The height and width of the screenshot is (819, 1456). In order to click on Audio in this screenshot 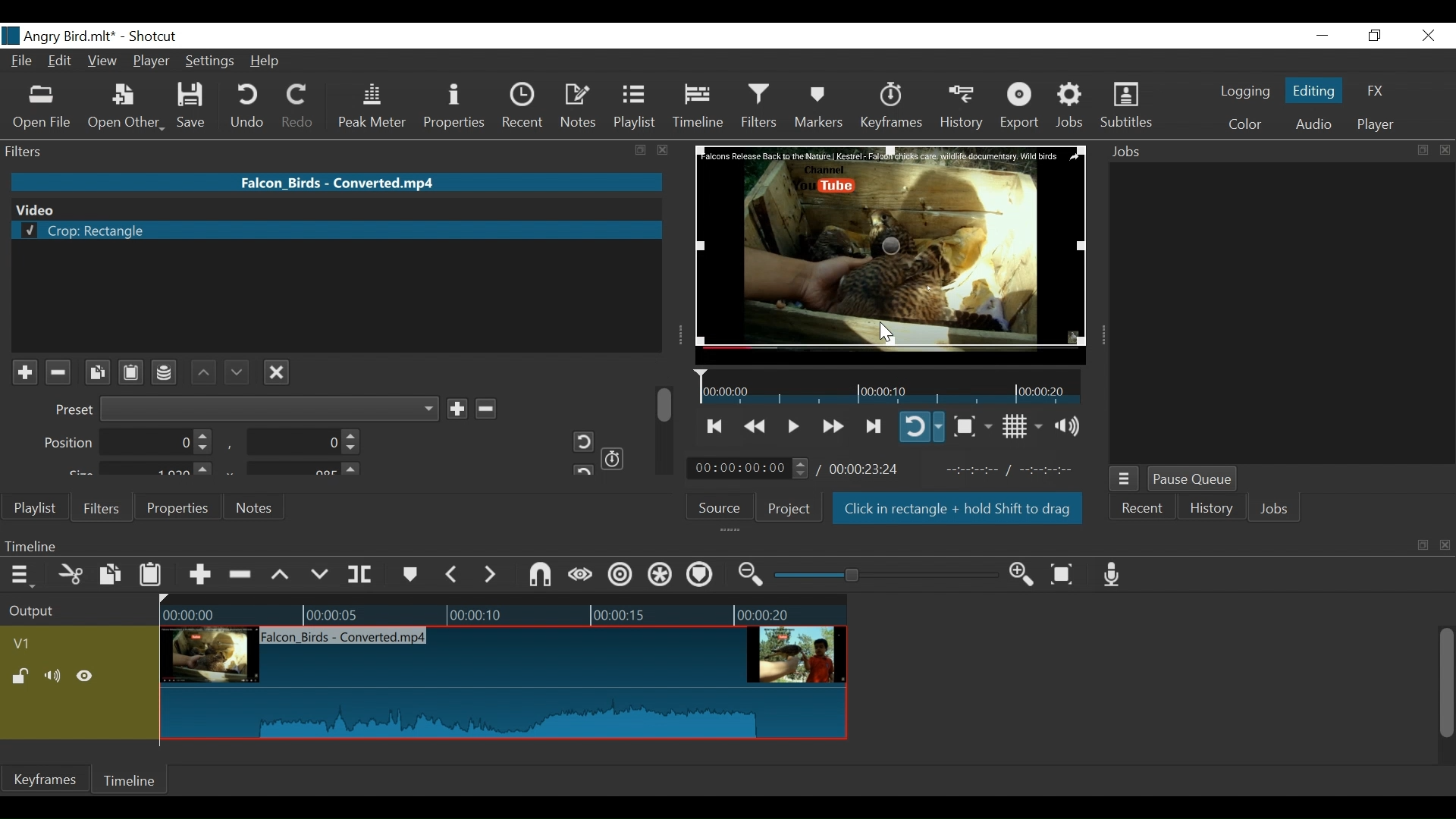, I will do `click(1313, 126)`.